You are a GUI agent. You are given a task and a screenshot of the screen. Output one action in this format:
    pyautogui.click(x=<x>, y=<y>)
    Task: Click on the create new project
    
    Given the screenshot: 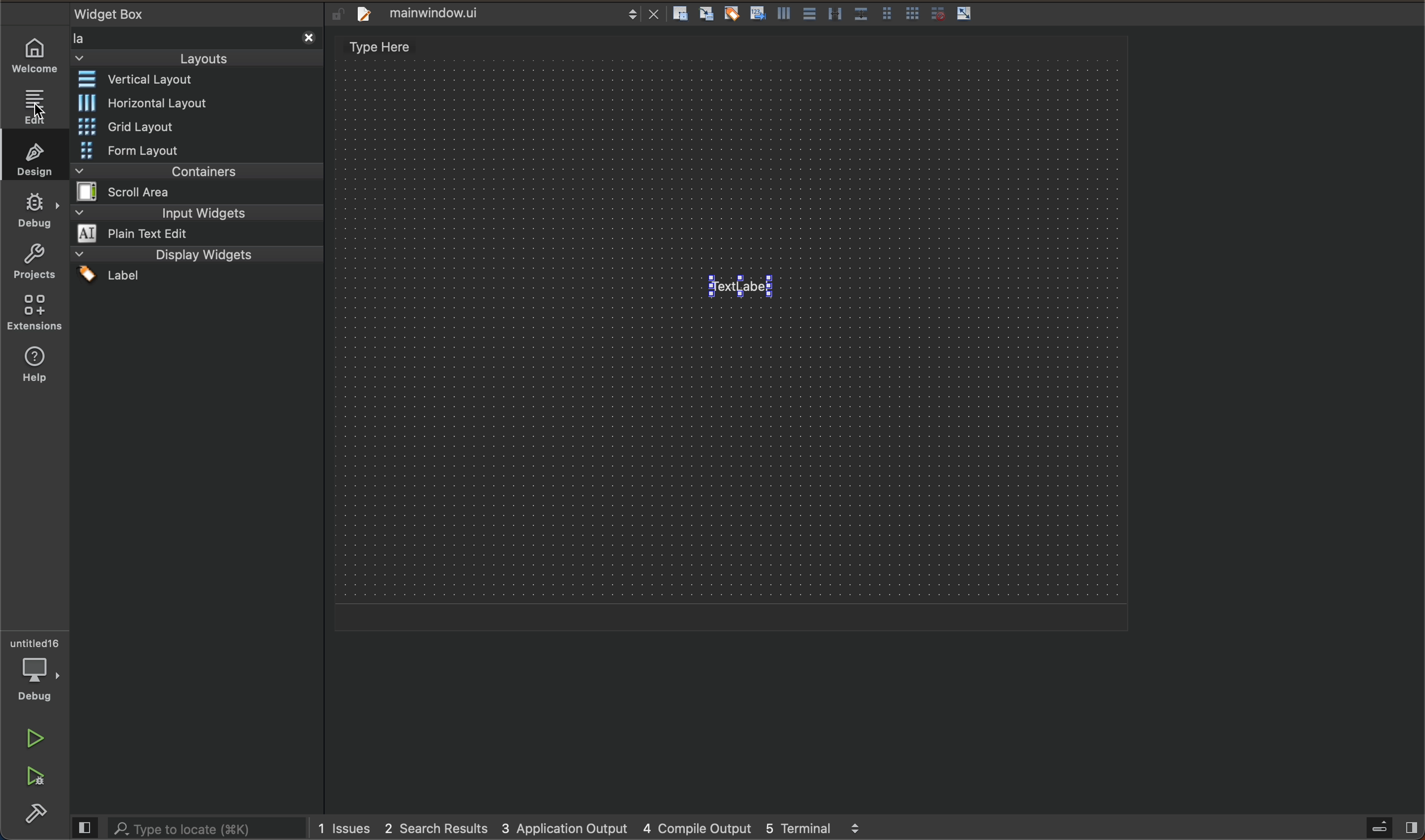 What is the action you would take?
    pyautogui.click(x=363, y=14)
    